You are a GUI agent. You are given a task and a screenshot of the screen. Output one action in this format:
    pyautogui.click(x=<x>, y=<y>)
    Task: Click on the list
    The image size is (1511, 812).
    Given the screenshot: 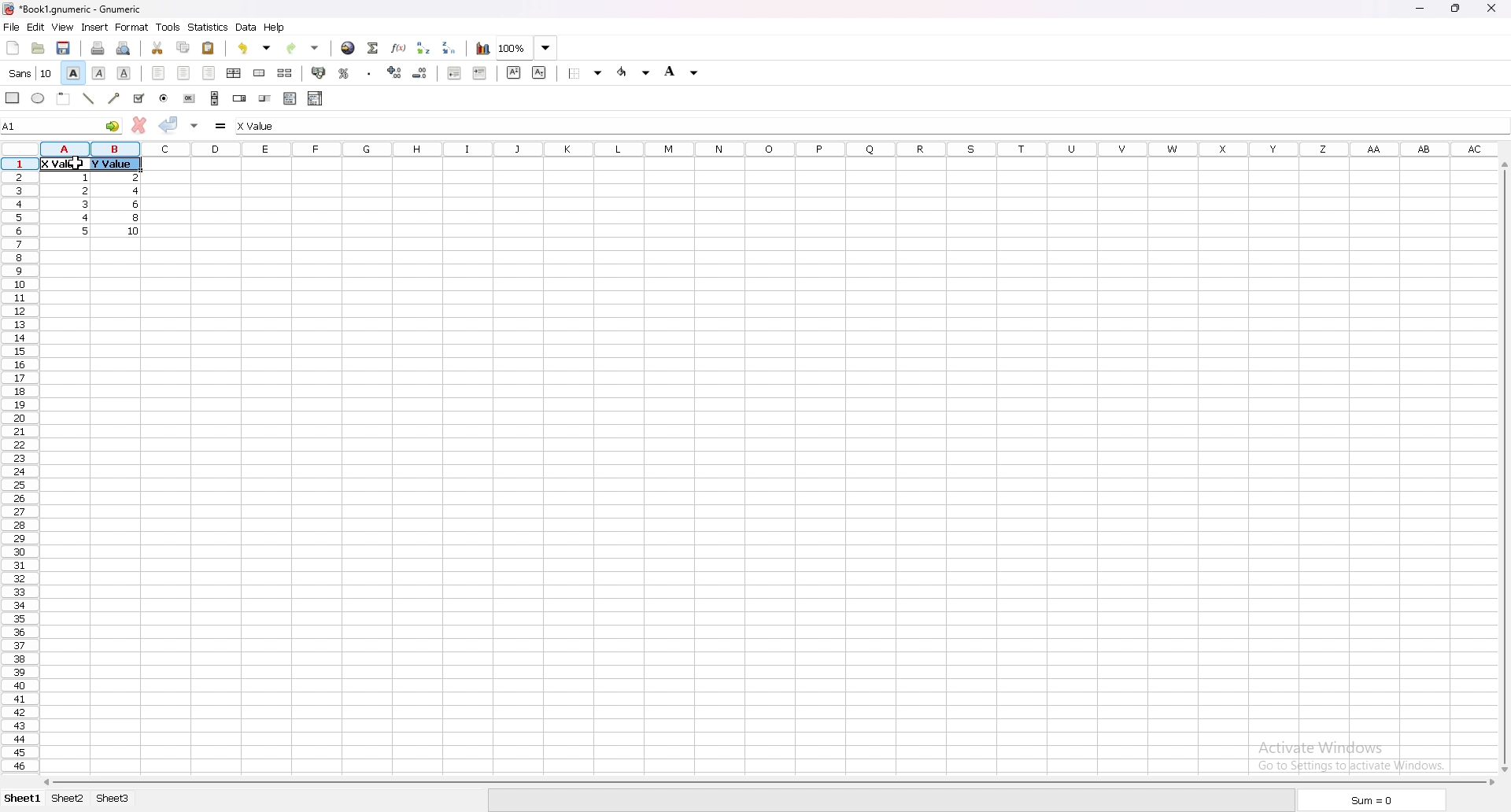 What is the action you would take?
    pyautogui.click(x=290, y=98)
    